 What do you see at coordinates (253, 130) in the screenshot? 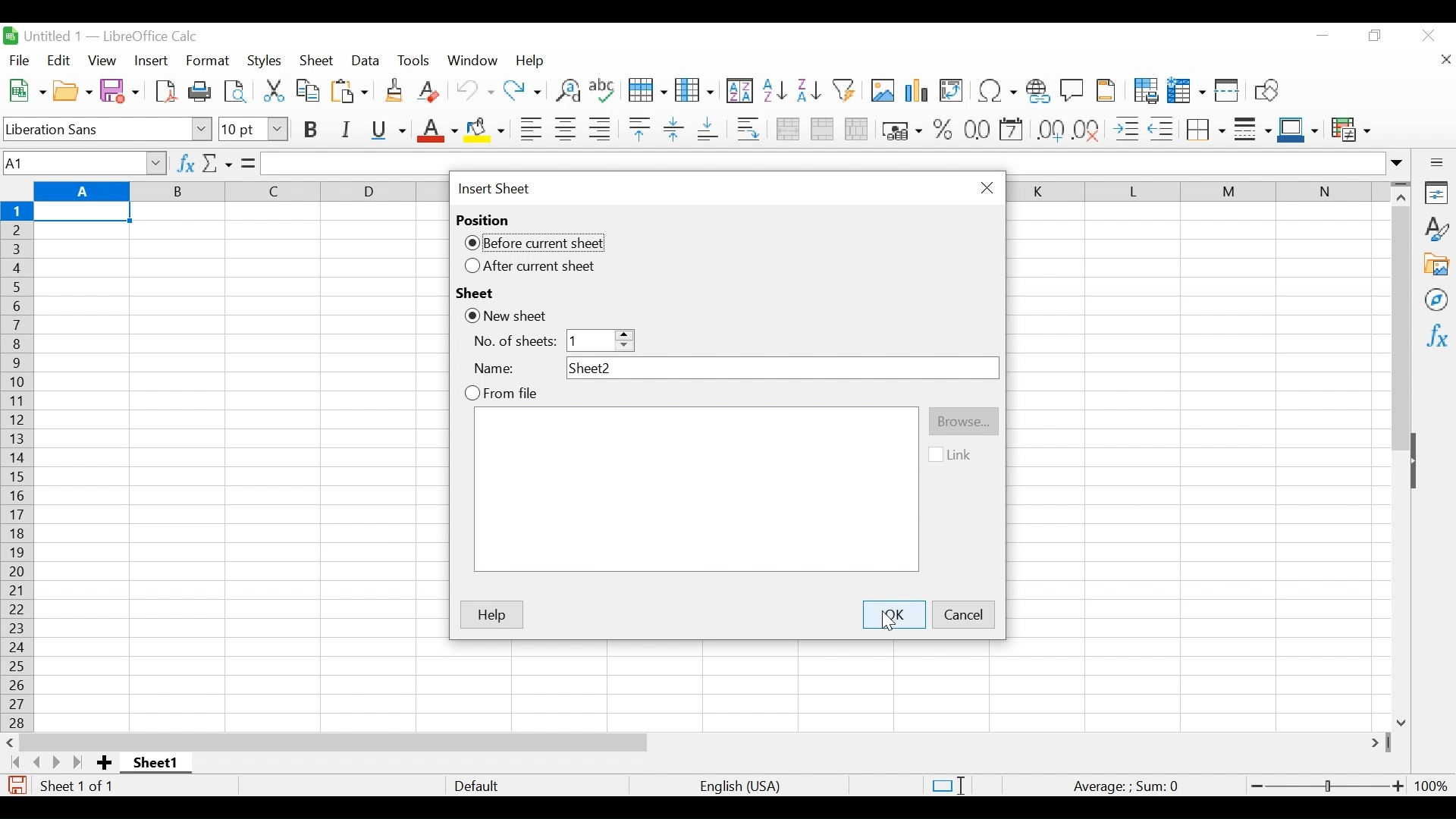
I see `Font Size` at bounding box center [253, 130].